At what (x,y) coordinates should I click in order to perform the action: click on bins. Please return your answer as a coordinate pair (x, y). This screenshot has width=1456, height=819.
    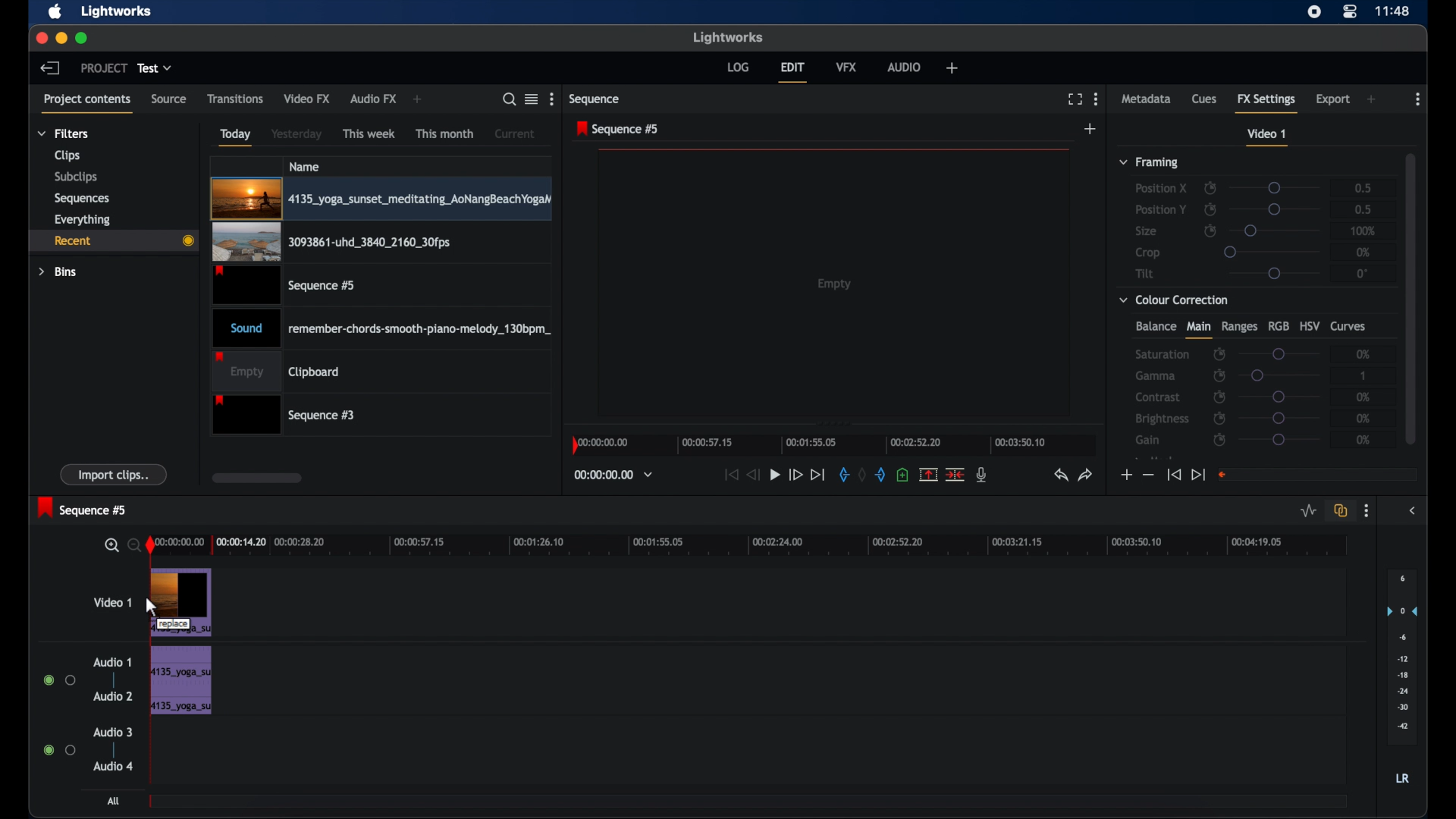
    Looking at the image, I should click on (58, 271).